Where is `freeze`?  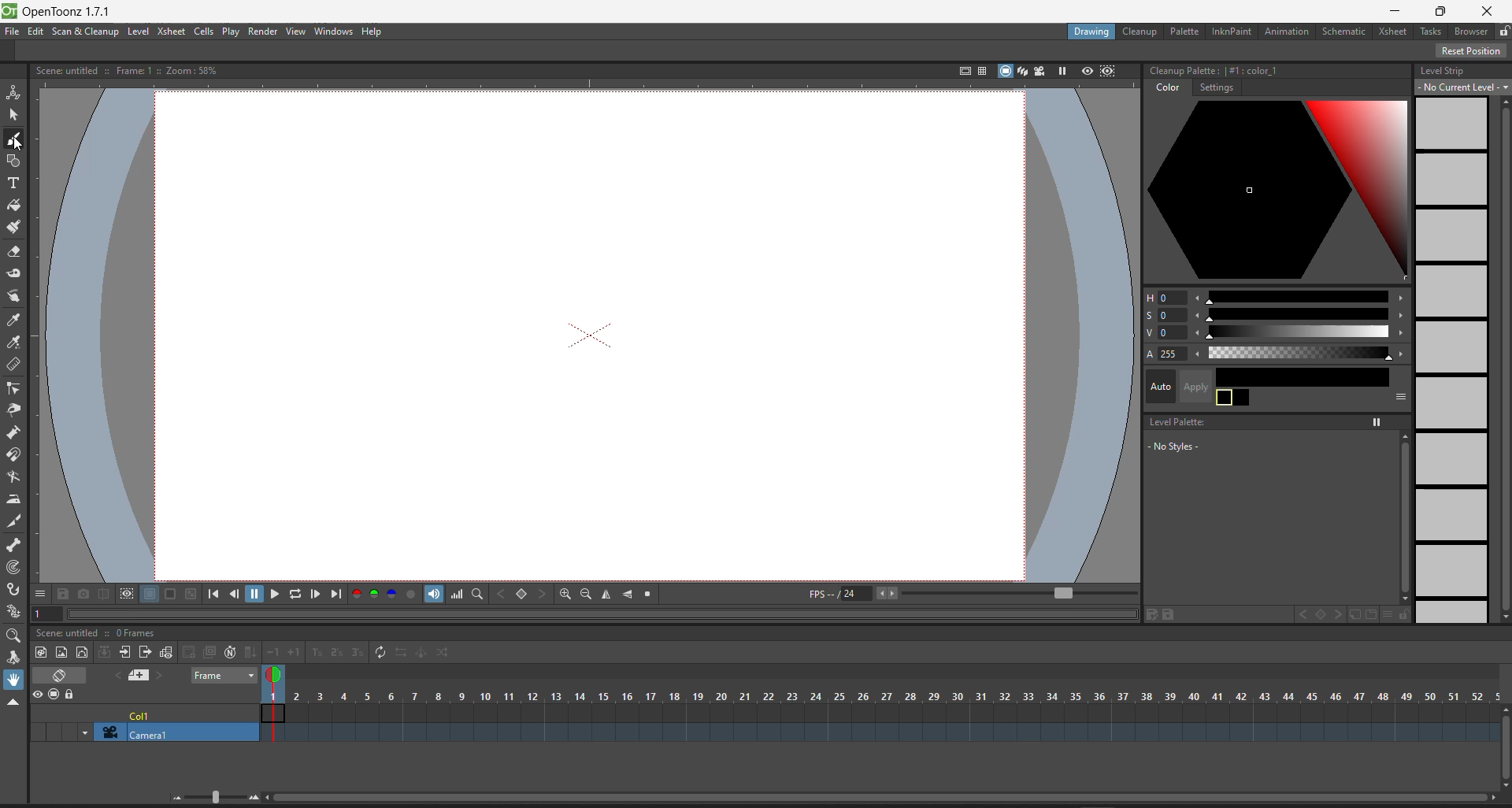 freeze is located at coordinates (1063, 69).